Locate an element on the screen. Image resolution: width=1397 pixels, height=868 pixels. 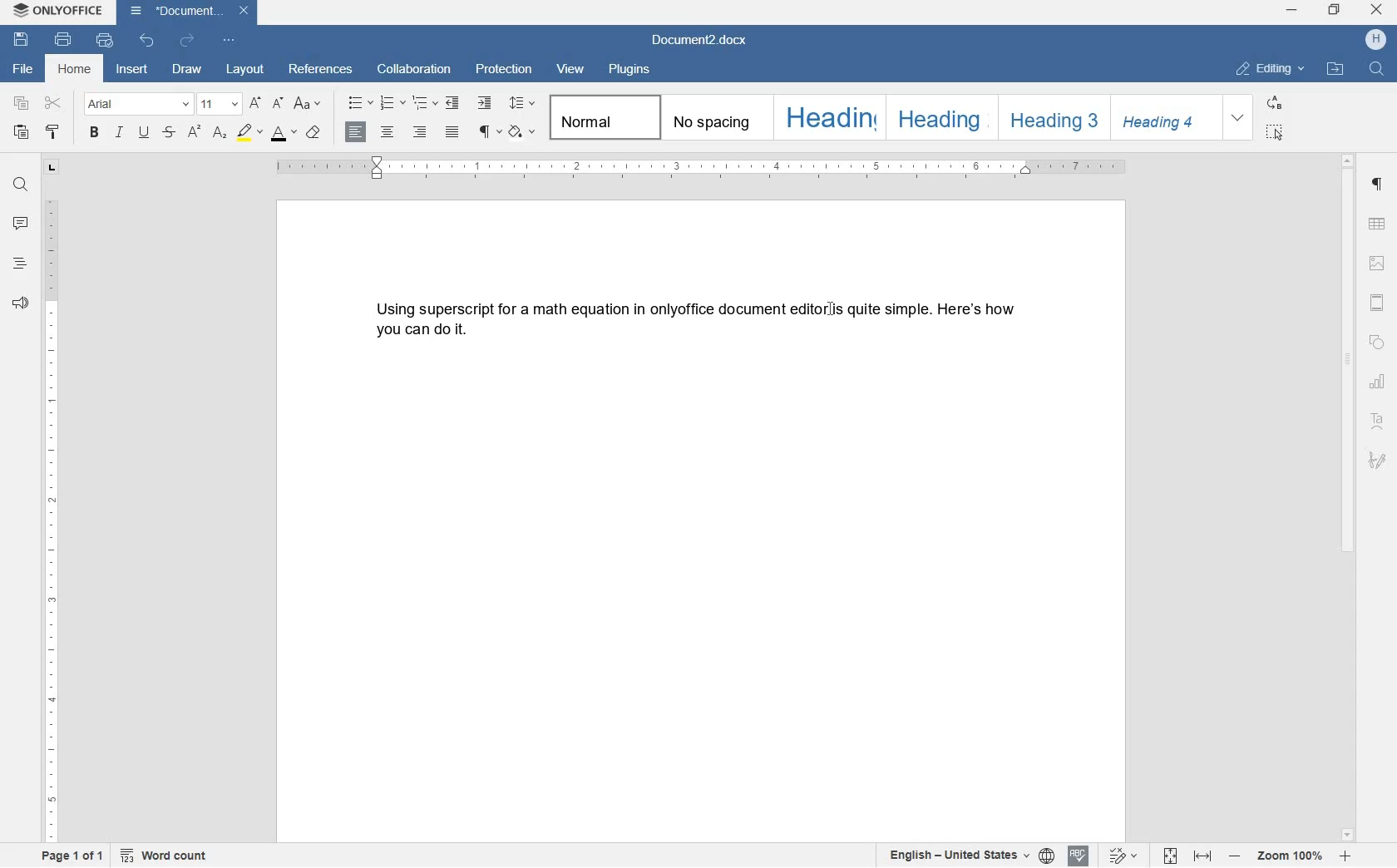
increment font size is located at coordinates (254, 104).